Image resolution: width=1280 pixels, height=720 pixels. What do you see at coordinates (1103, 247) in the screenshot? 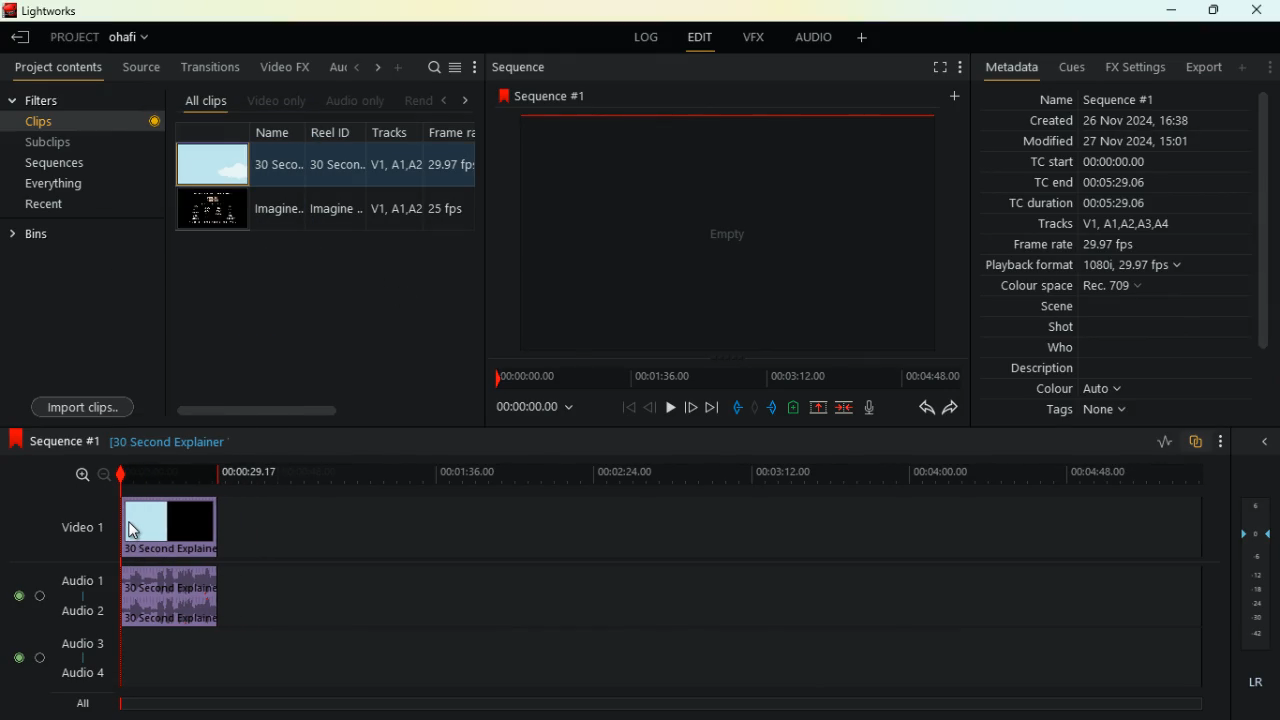
I see `frame rate` at bounding box center [1103, 247].